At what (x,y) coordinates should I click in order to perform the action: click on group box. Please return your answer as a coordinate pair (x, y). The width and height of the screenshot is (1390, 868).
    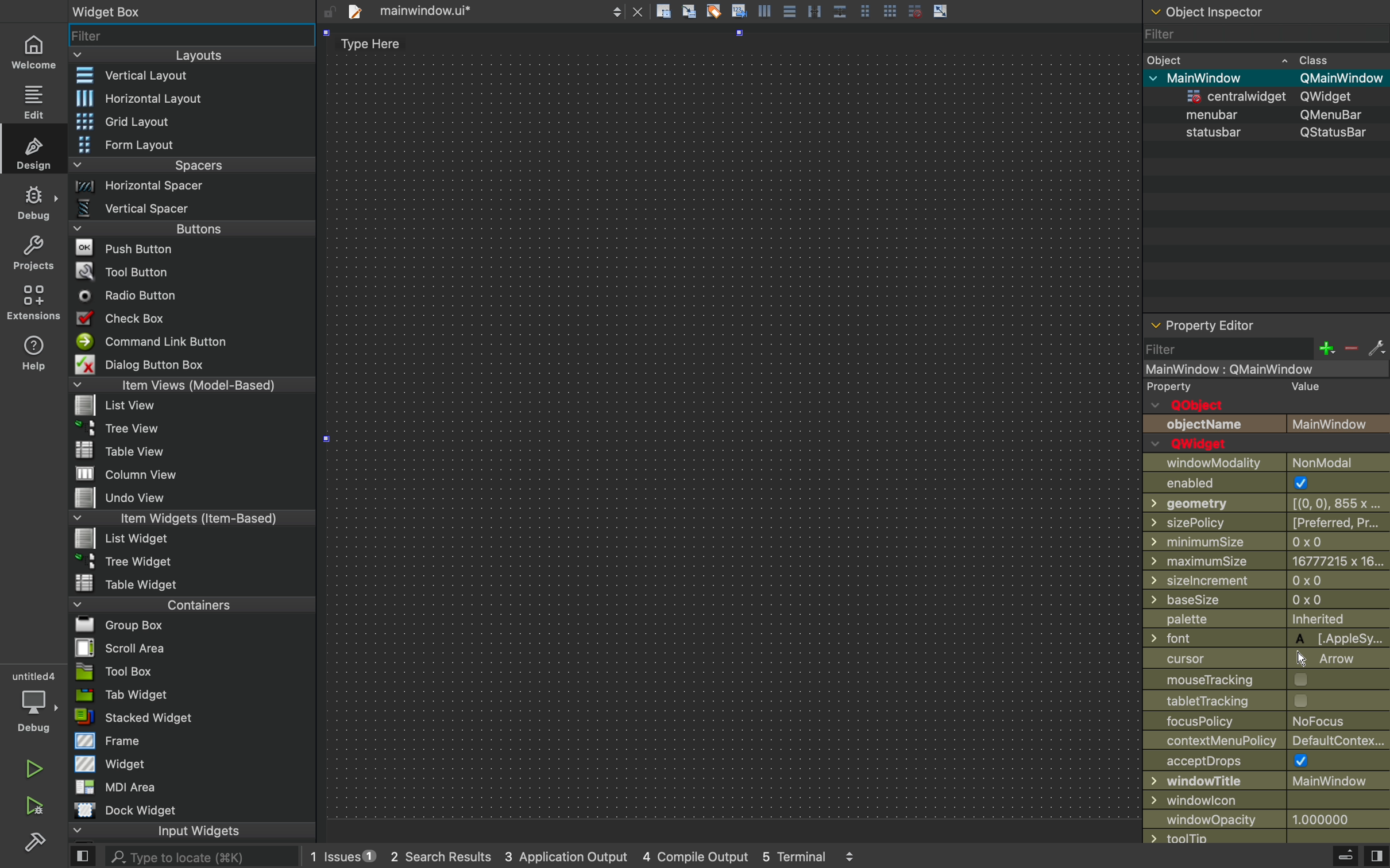
    Looking at the image, I should click on (192, 627).